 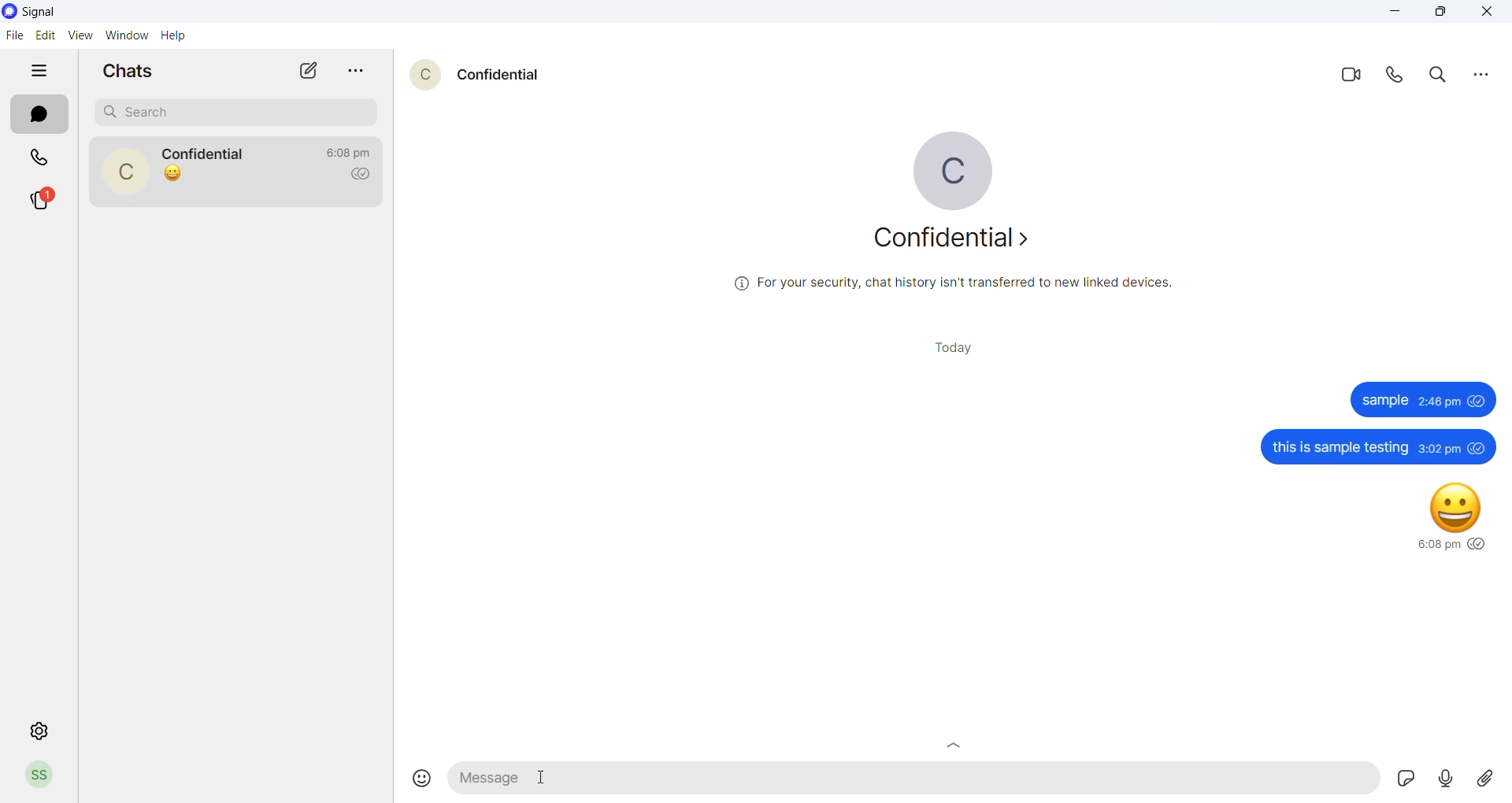 What do you see at coordinates (50, 198) in the screenshot?
I see `stories` at bounding box center [50, 198].